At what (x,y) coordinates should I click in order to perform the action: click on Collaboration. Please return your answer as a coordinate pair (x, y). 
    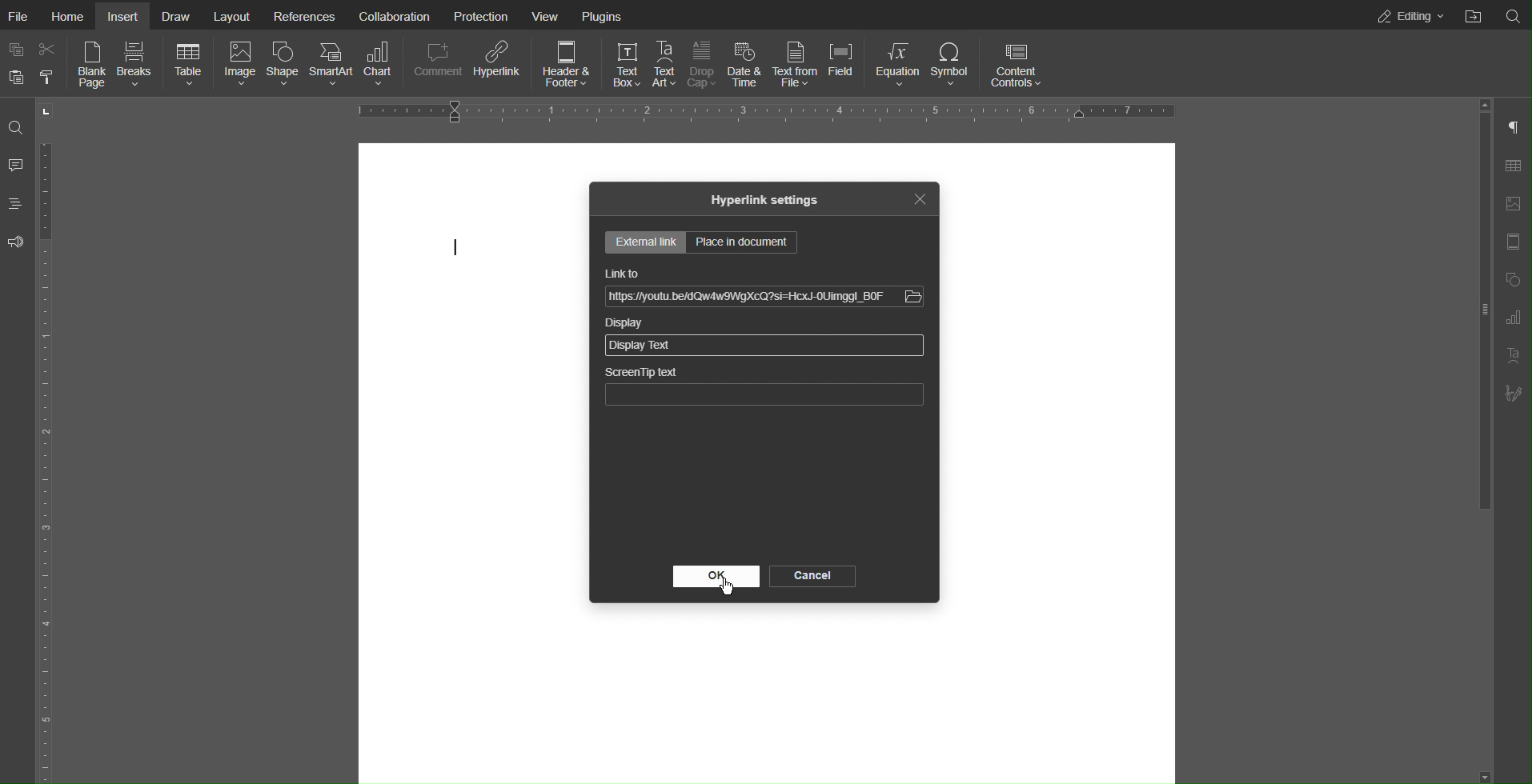
    Looking at the image, I should click on (393, 14).